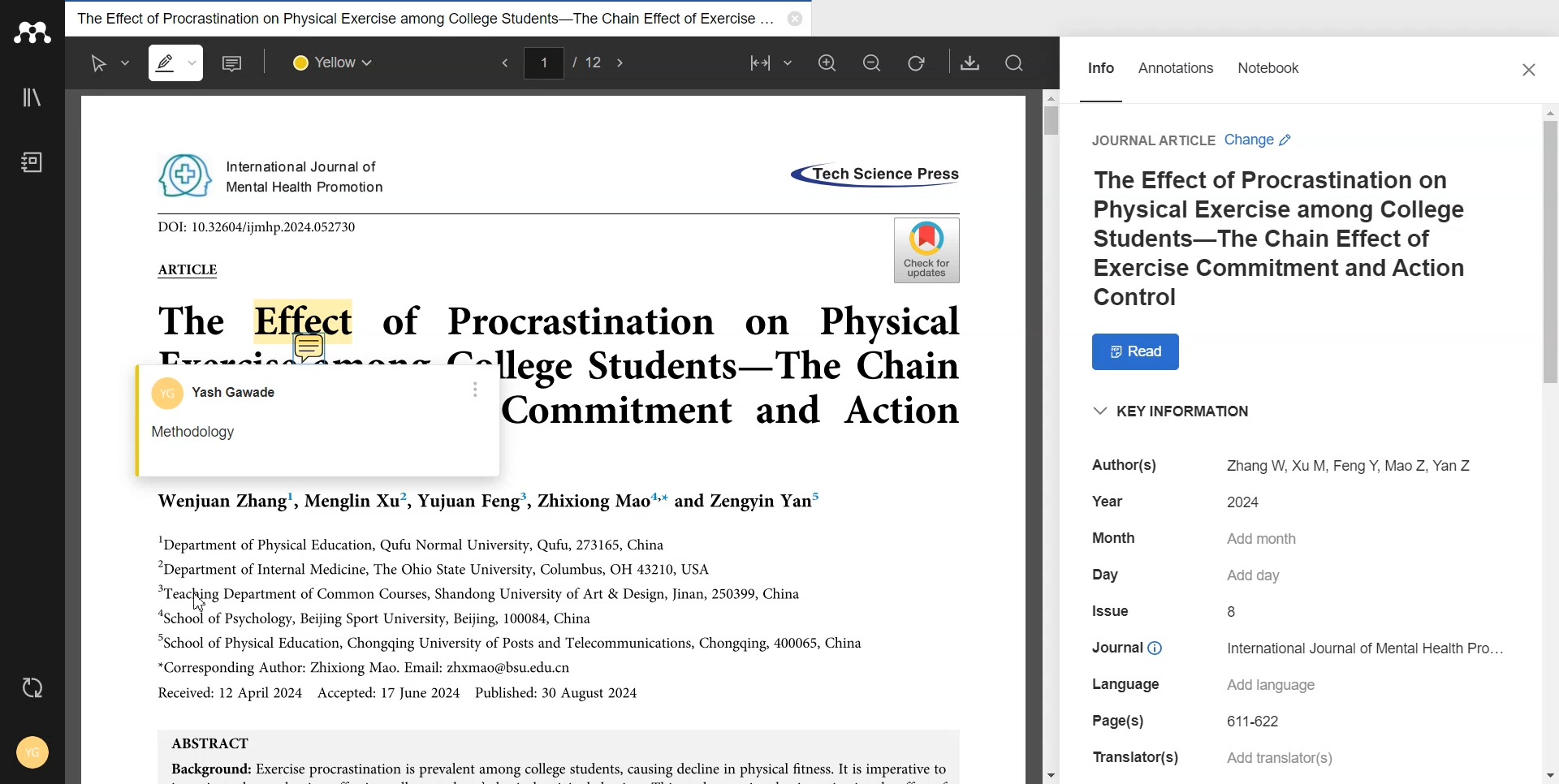  Describe the element at coordinates (559, 755) in the screenshot. I see `ABSTRACT
Background: Exercise procrastination is prevalent among college students, causing decline in physical fitness. It is imperative to` at that location.